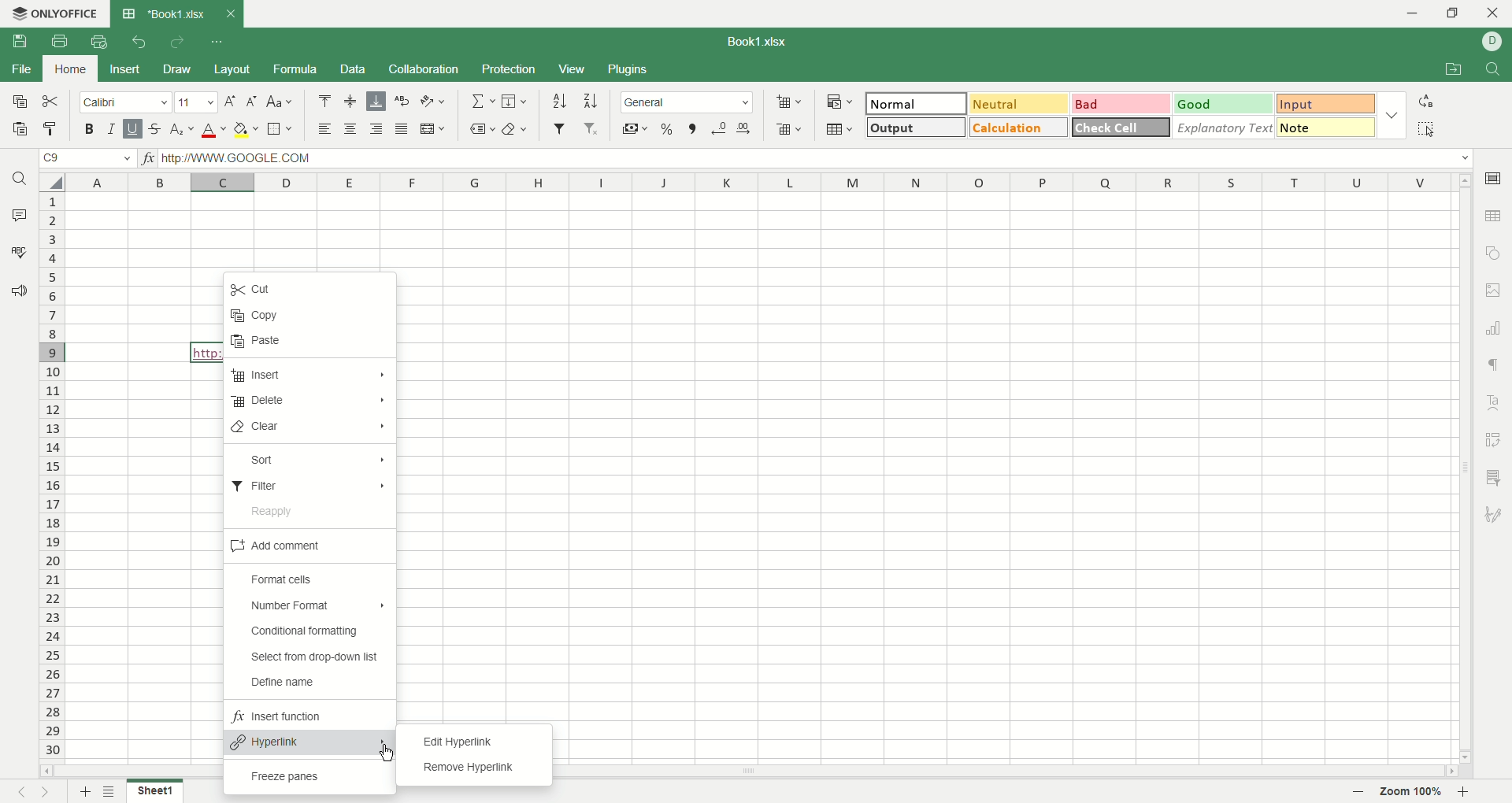 The height and width of the screenshot is (803, 1512). What do you see at coordinates (1493, 437) in the screenshot?
I see `pivot settings` at bounding box center [1493, 437].